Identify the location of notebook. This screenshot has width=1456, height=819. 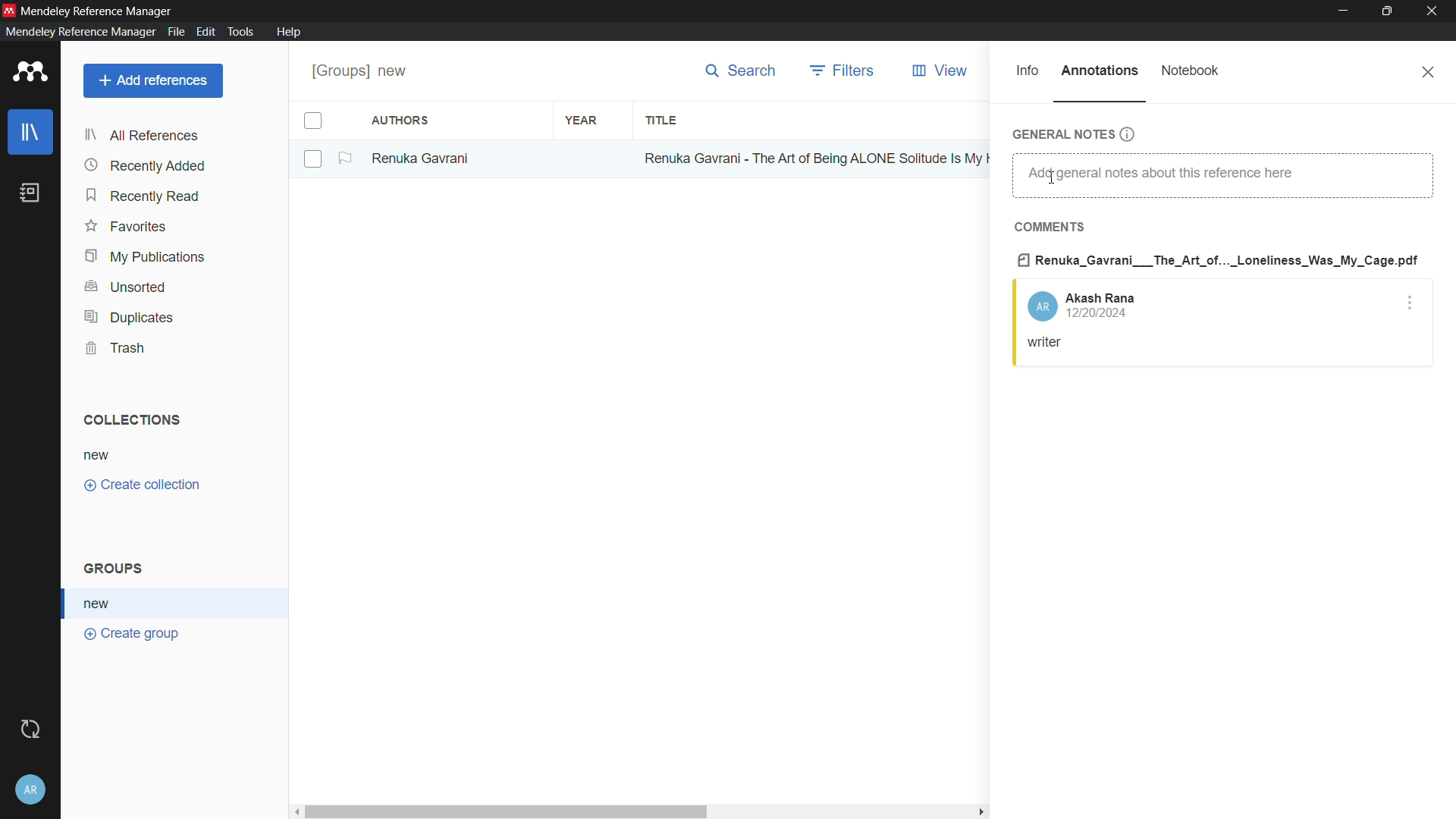
(1191, 70).